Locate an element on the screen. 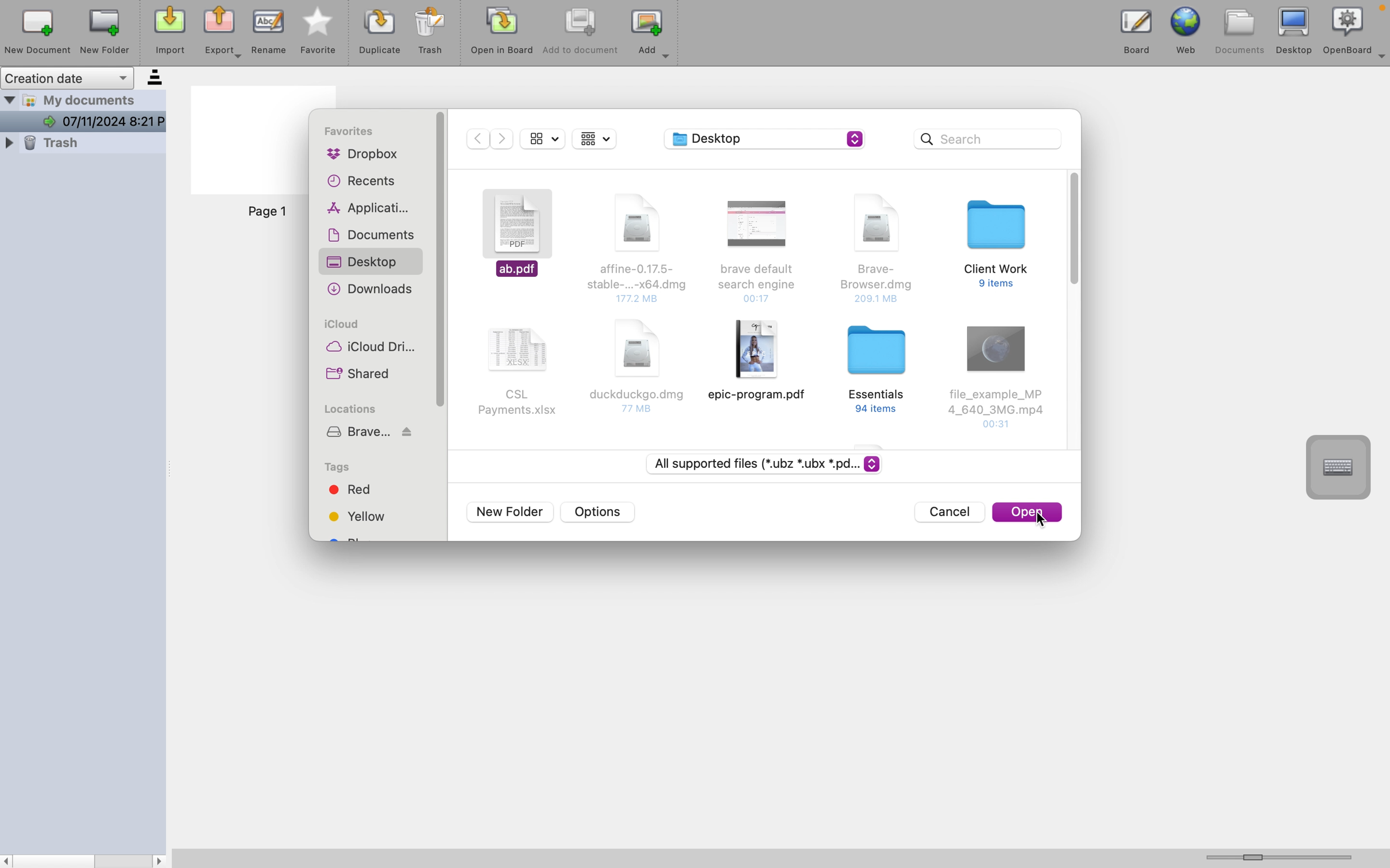 Image resolution: width=1390 pixels, height=868 pixels. search is located at coordinates (989, 140).